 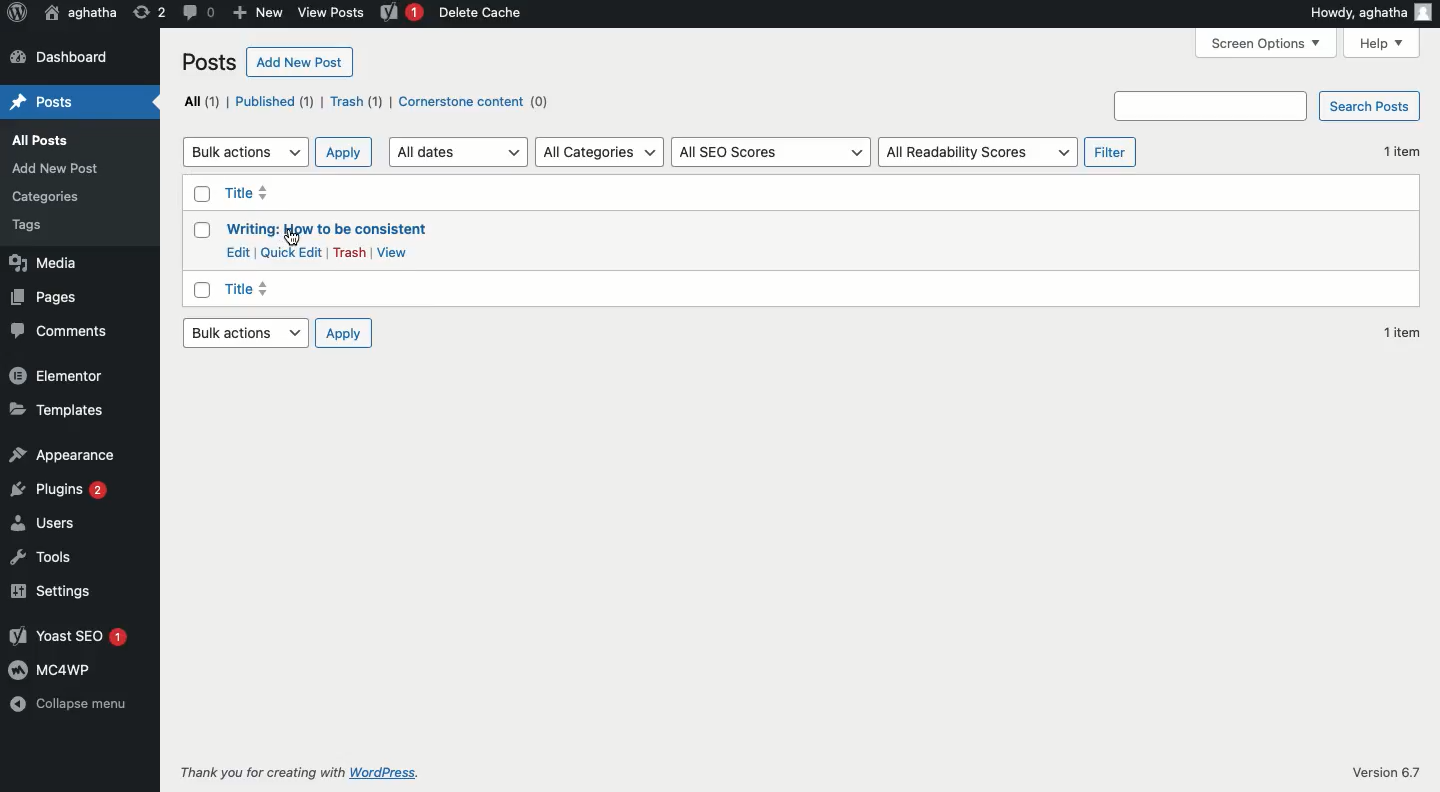 I want to click on User, so click(x=79, y=14).